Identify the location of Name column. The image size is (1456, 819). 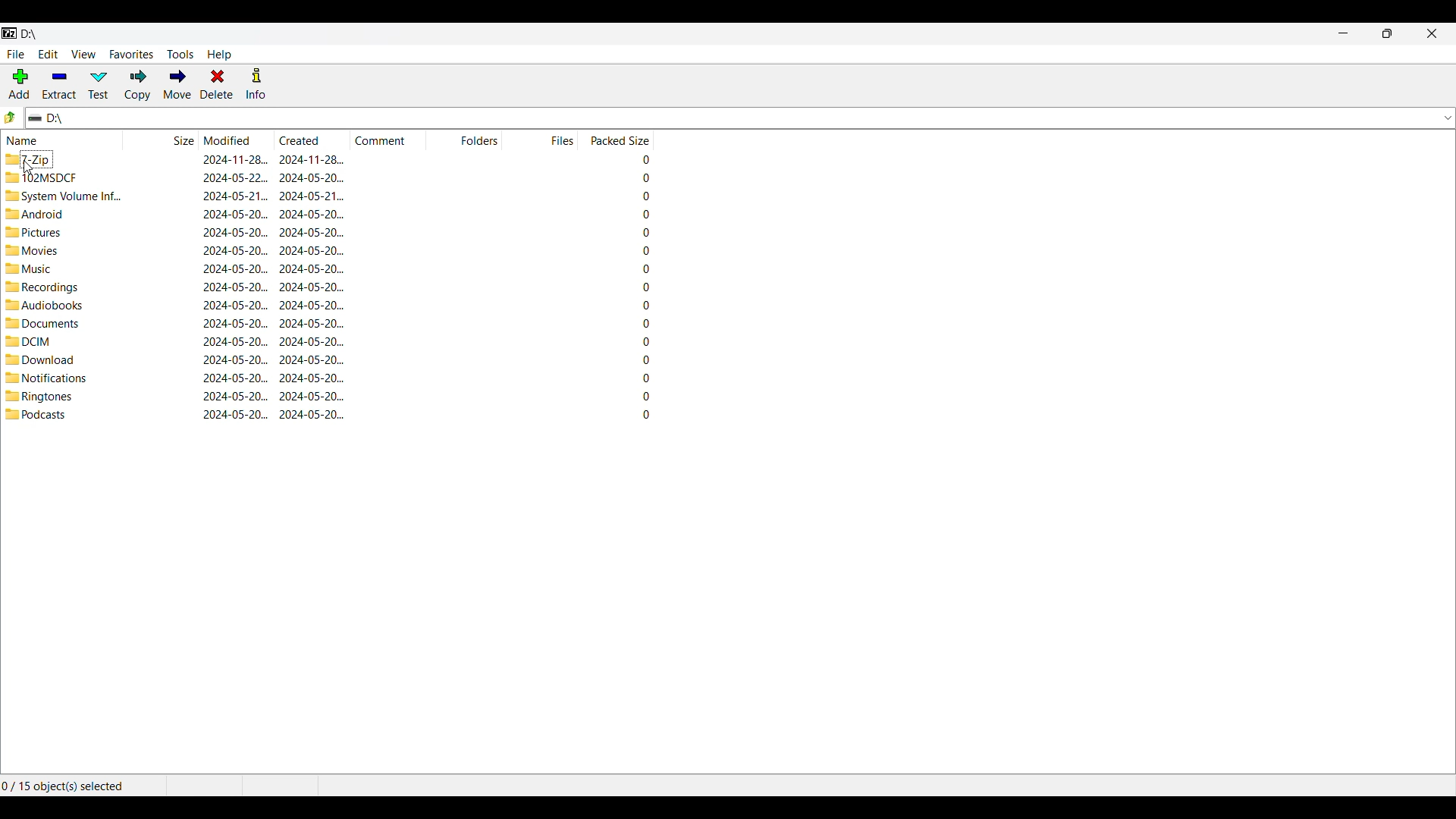
(63, 140).